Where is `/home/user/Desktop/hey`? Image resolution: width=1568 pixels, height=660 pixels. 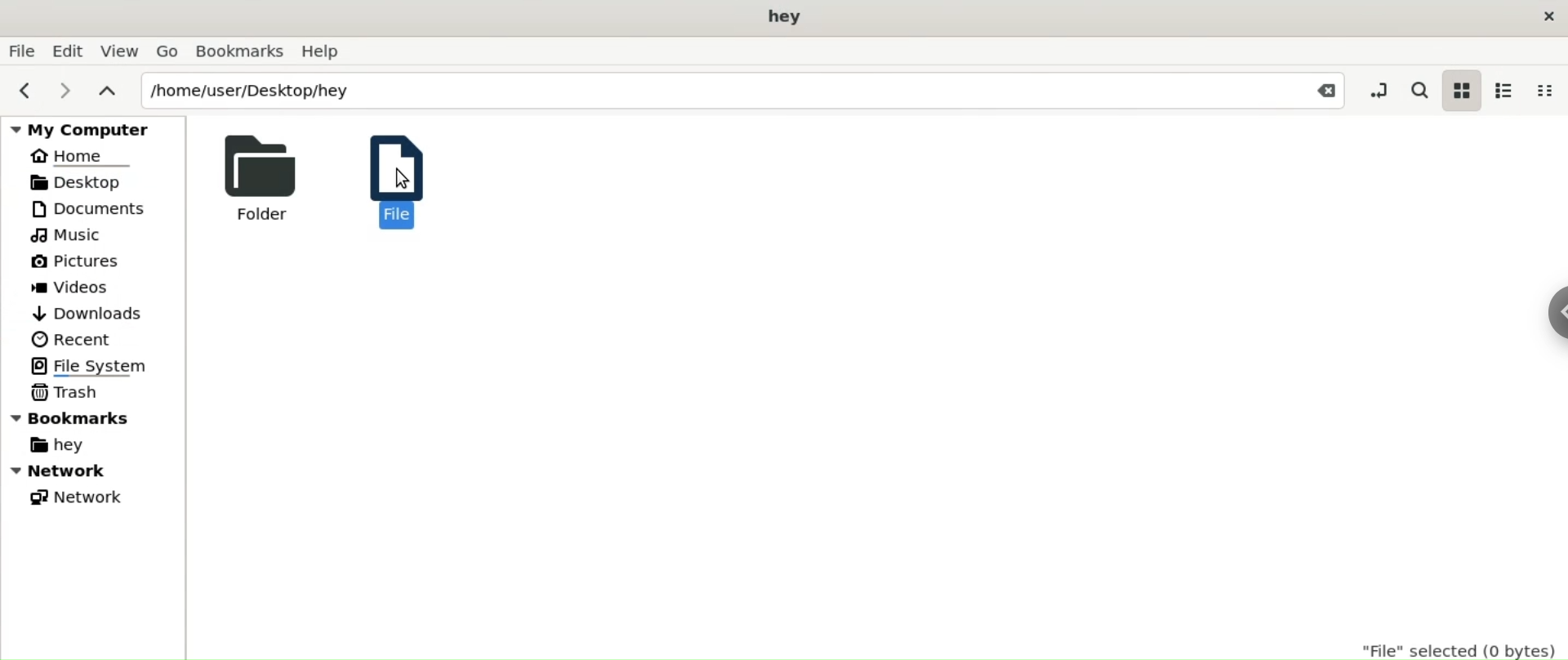 /home/user/Desktop/hey is located at coordinates (704, 91).